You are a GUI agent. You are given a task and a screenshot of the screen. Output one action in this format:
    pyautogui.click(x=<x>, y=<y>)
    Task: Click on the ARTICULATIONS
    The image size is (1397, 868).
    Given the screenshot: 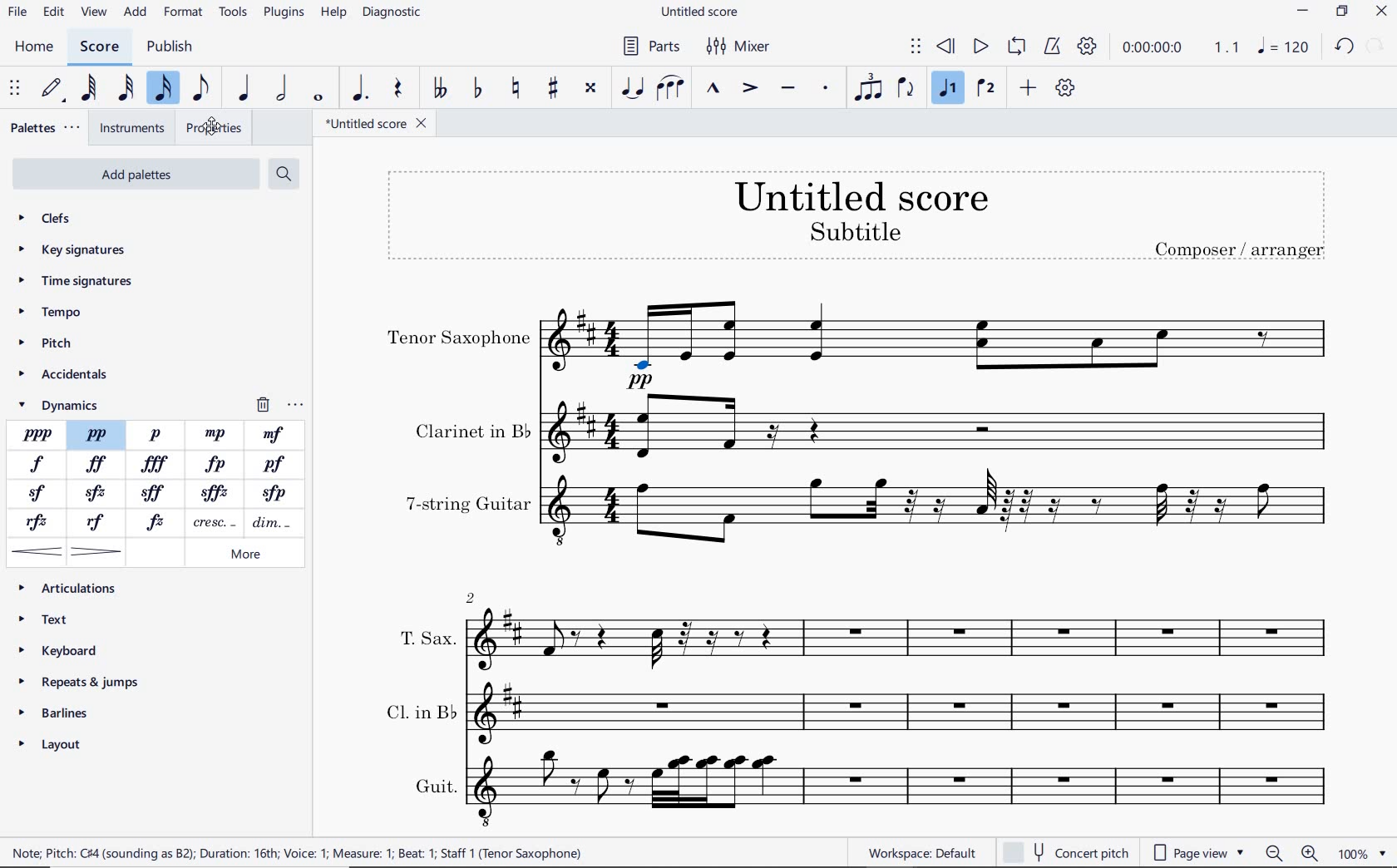 What is the action you would take?
    pyautogui.click(x=68, y=589)
    